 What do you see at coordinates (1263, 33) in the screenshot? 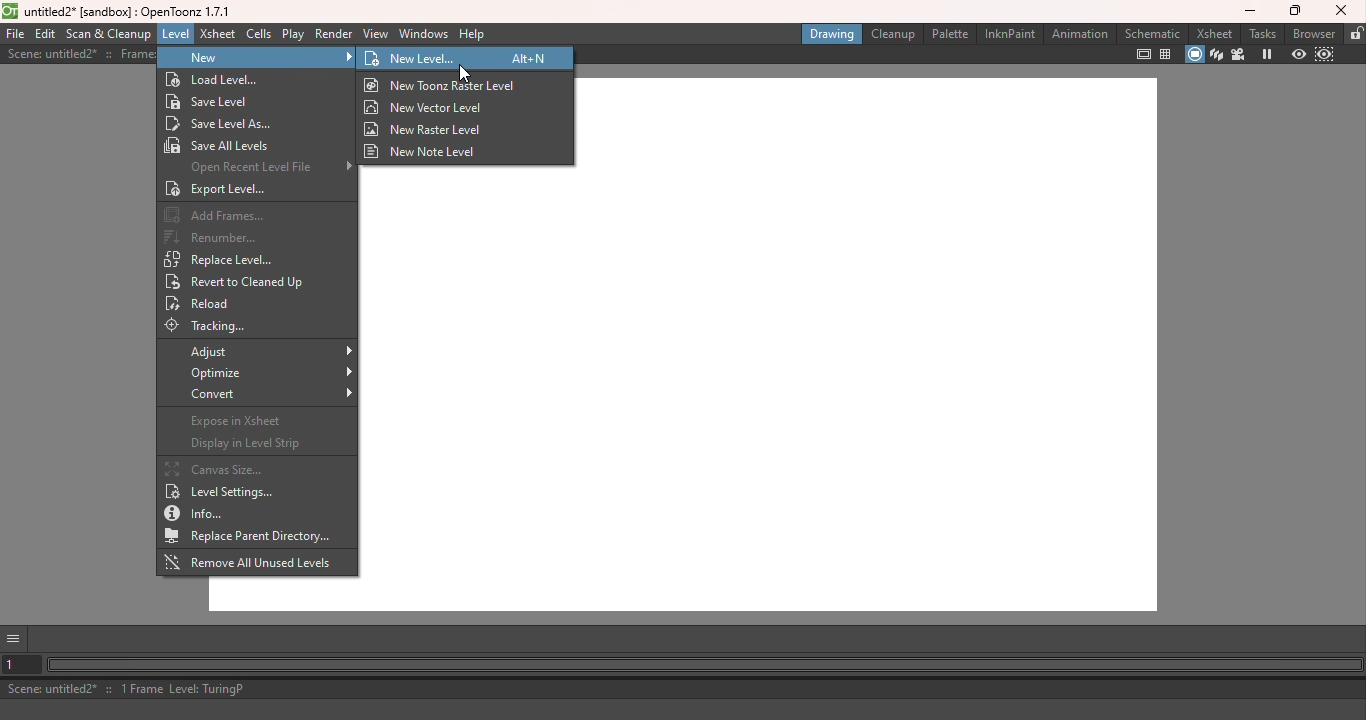
I see `Tasks` at bounding box center [1263, 33].